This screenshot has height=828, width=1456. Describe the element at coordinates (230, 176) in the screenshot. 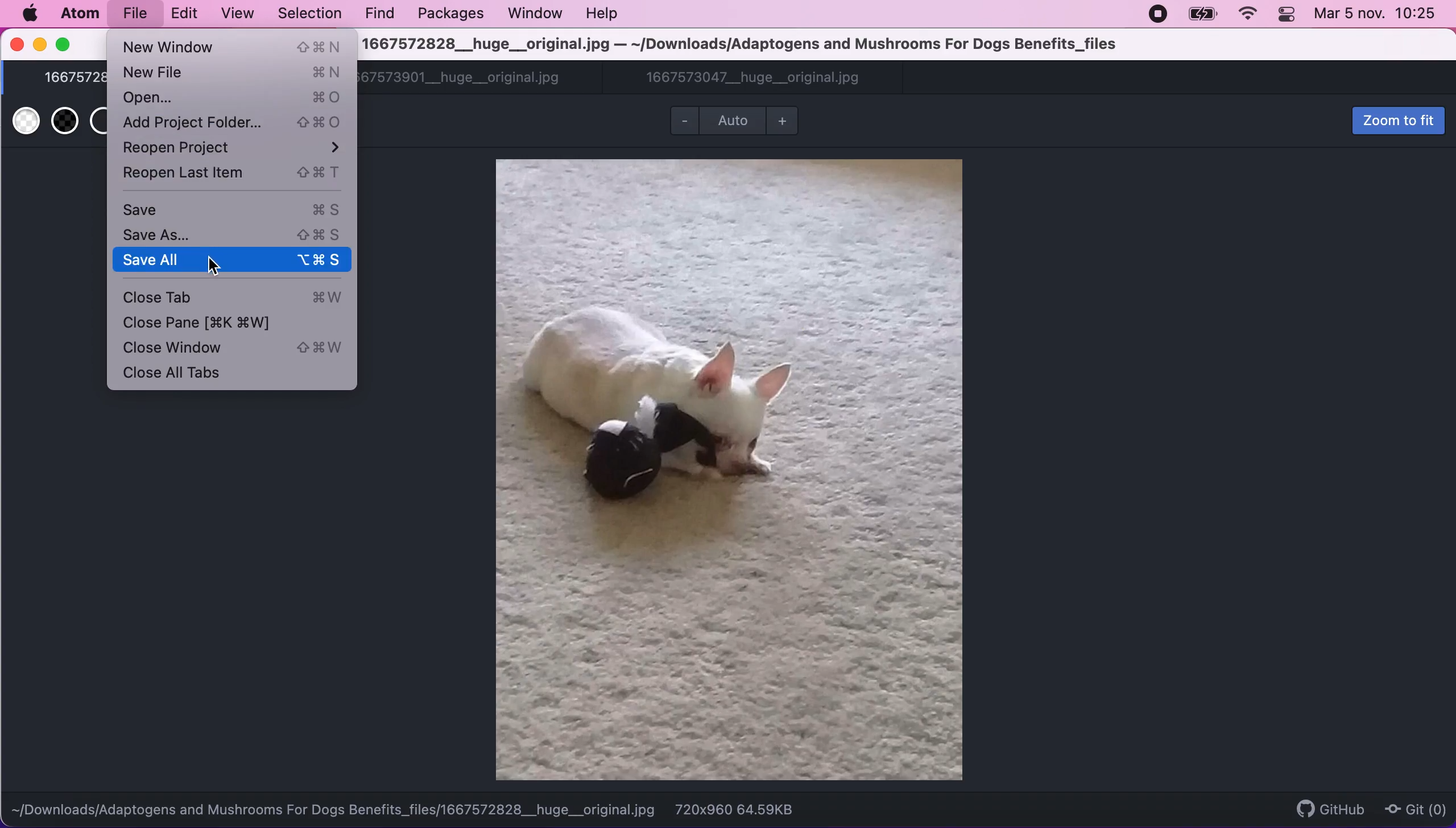

I see `reopen last item` at that location.